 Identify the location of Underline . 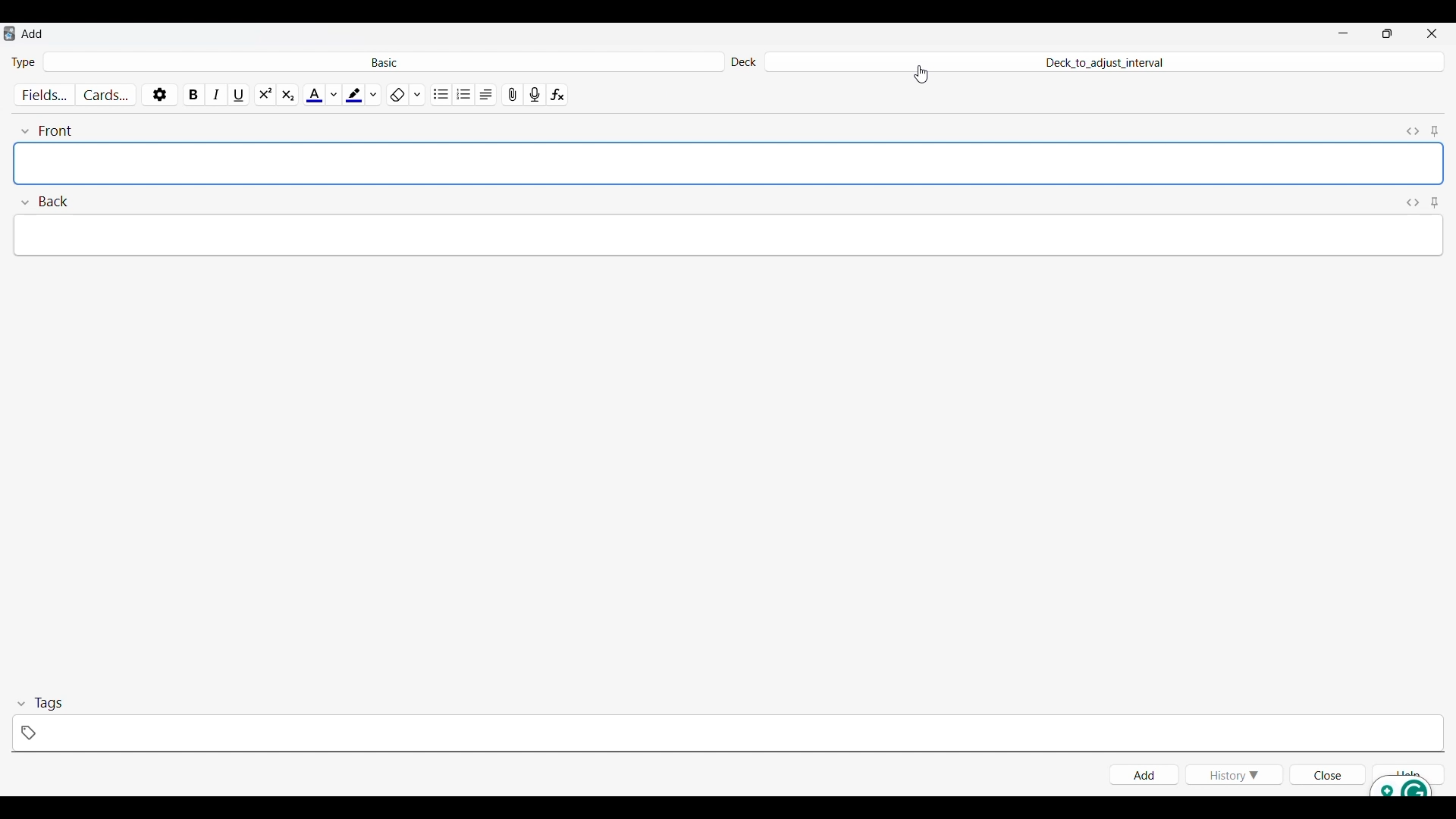
(240, 94).